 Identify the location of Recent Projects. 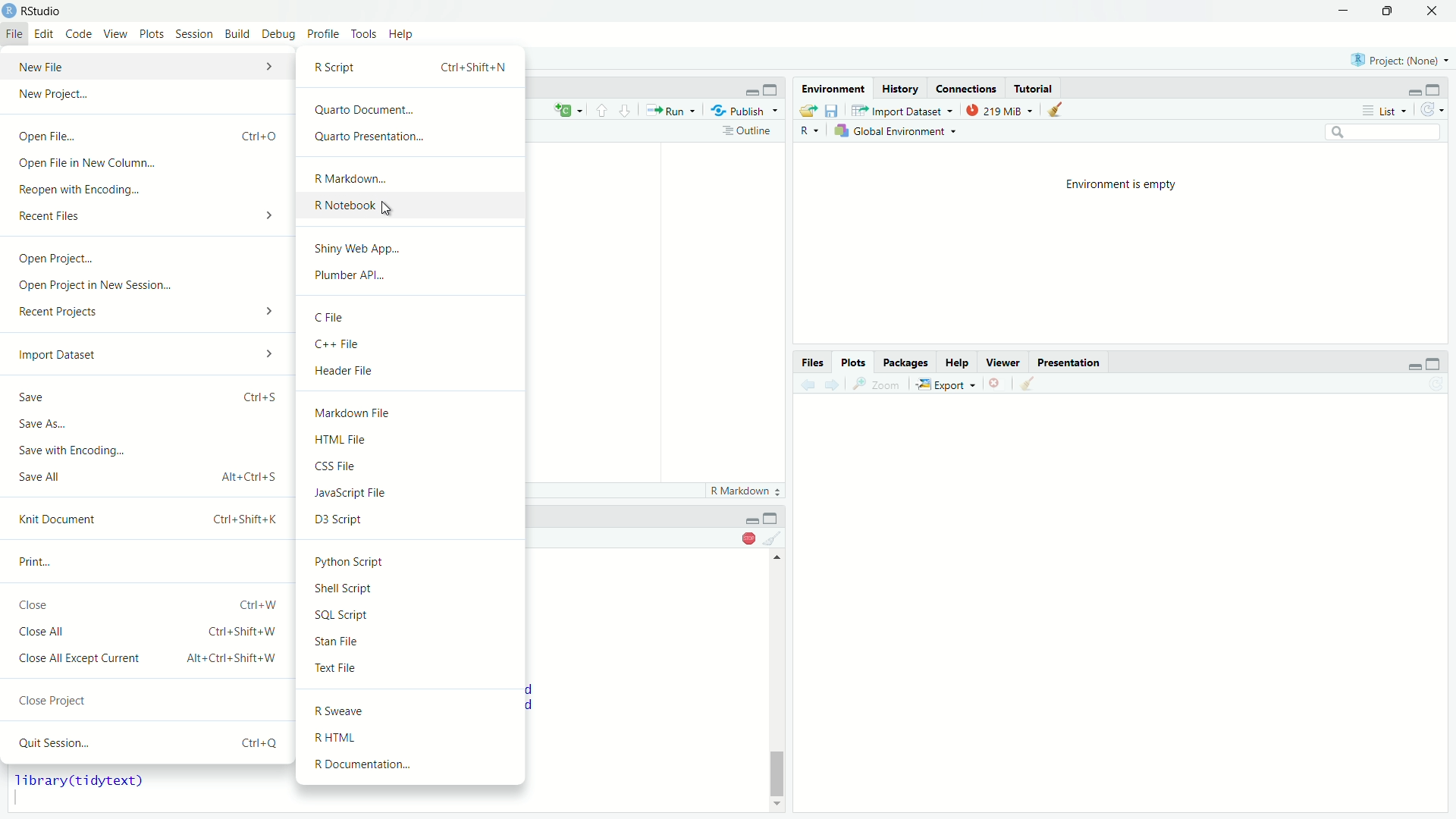
(146, 311).